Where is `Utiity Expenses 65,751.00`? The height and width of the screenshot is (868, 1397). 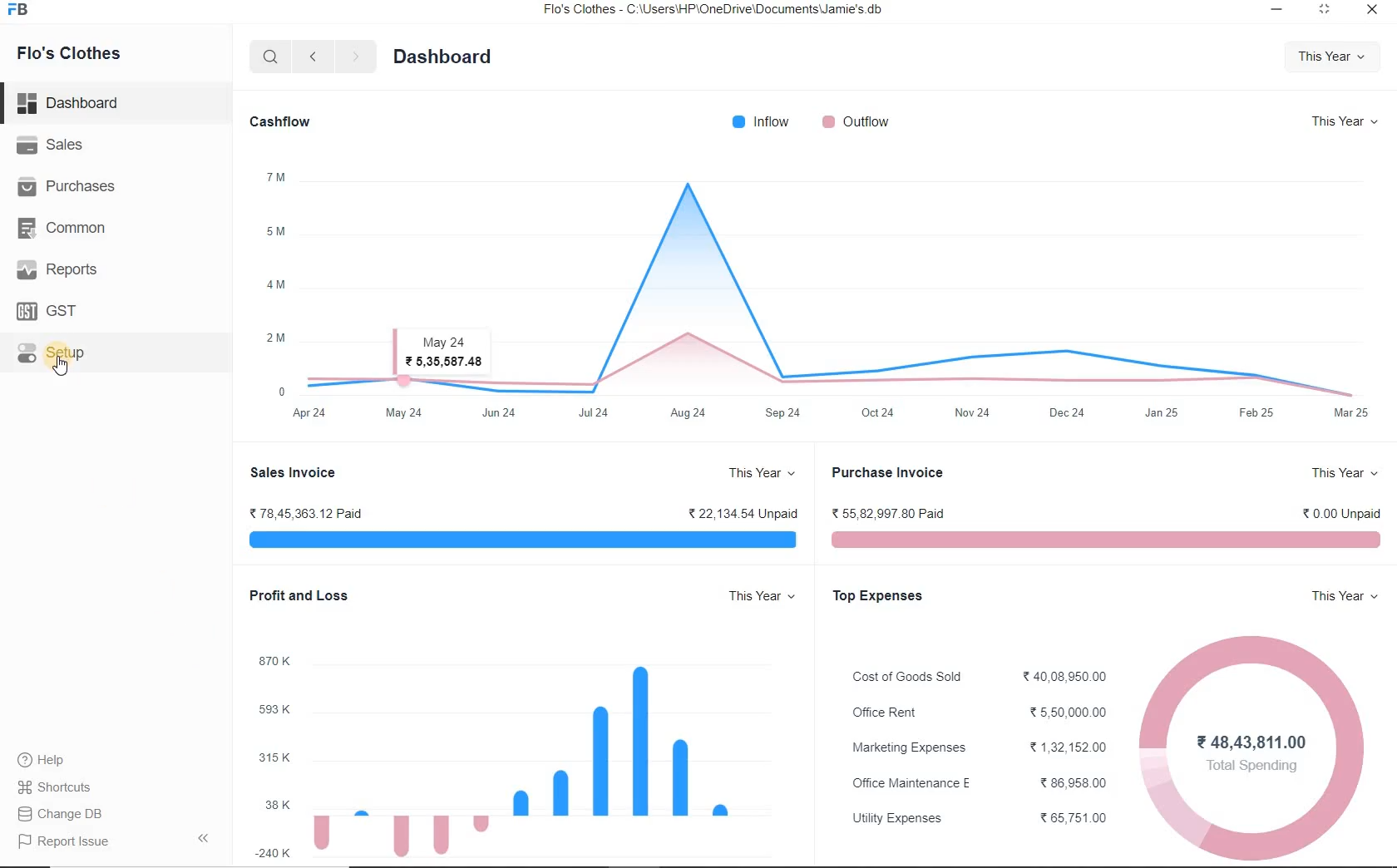 Utiity Expenses 65,751.00 is located at coordinates (977, 818).